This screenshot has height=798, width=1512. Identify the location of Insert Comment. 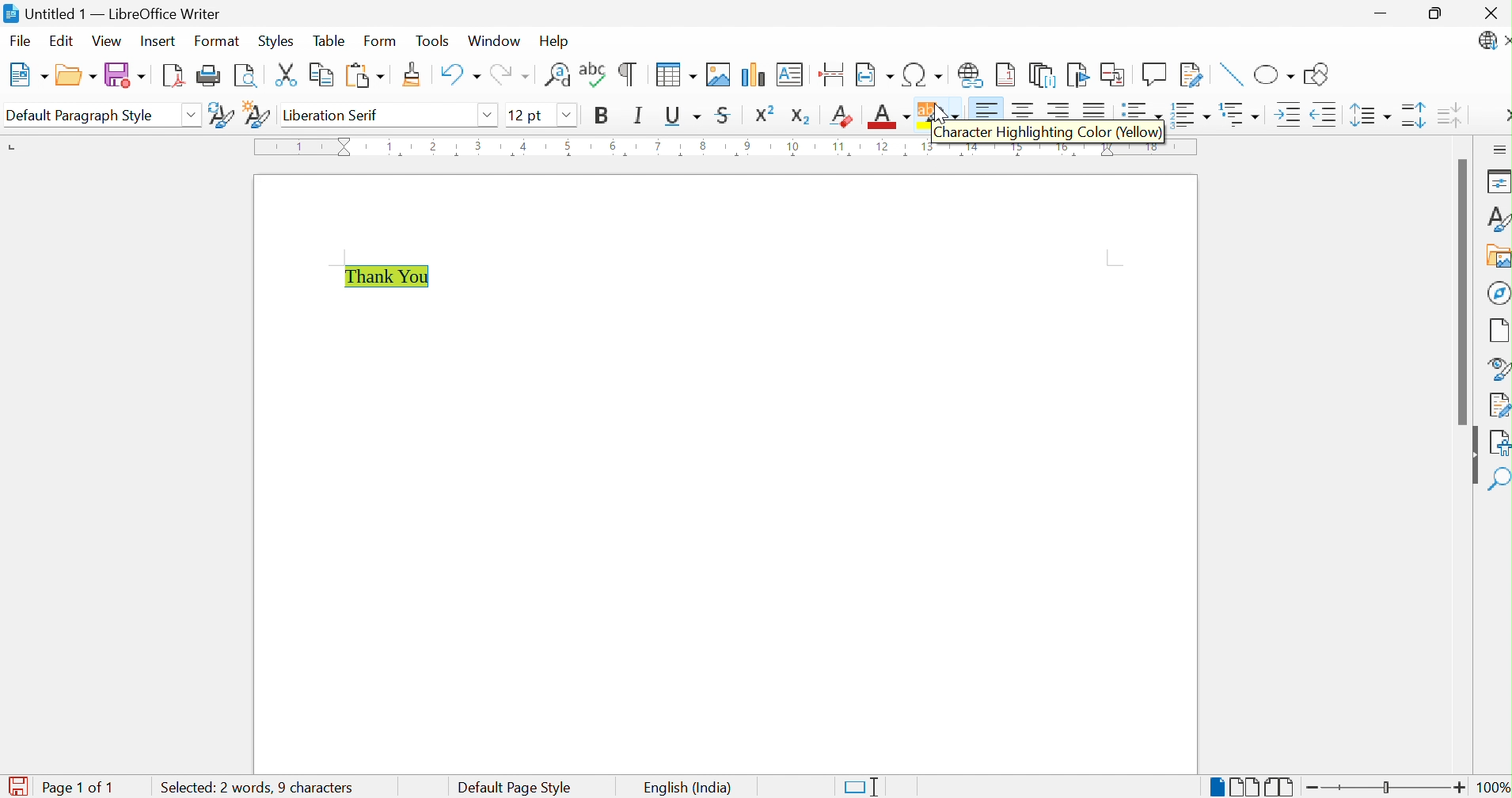
(1155, 74).